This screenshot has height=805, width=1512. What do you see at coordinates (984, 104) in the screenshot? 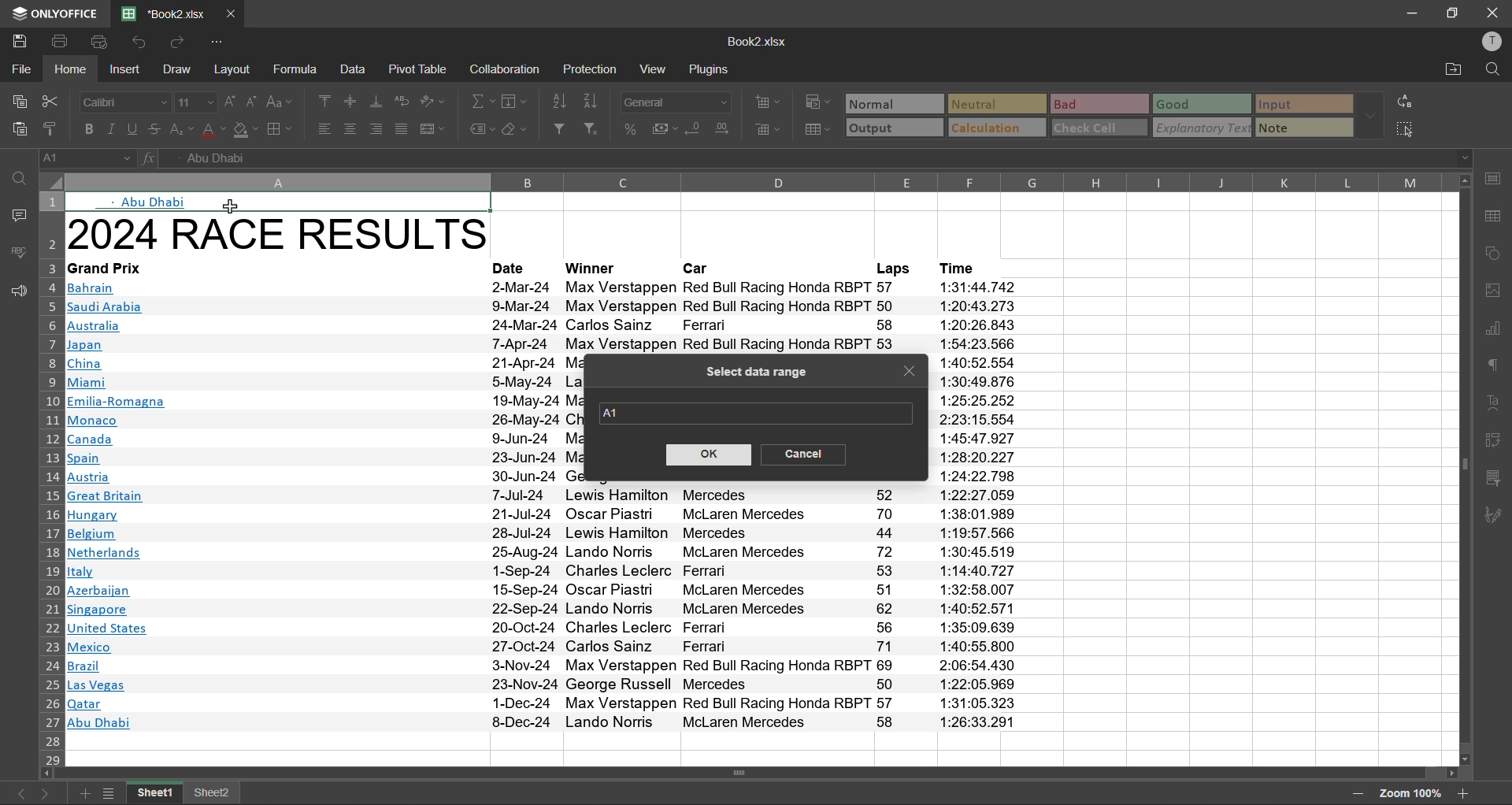
I see `neutral` at bounding box center [984, 104].